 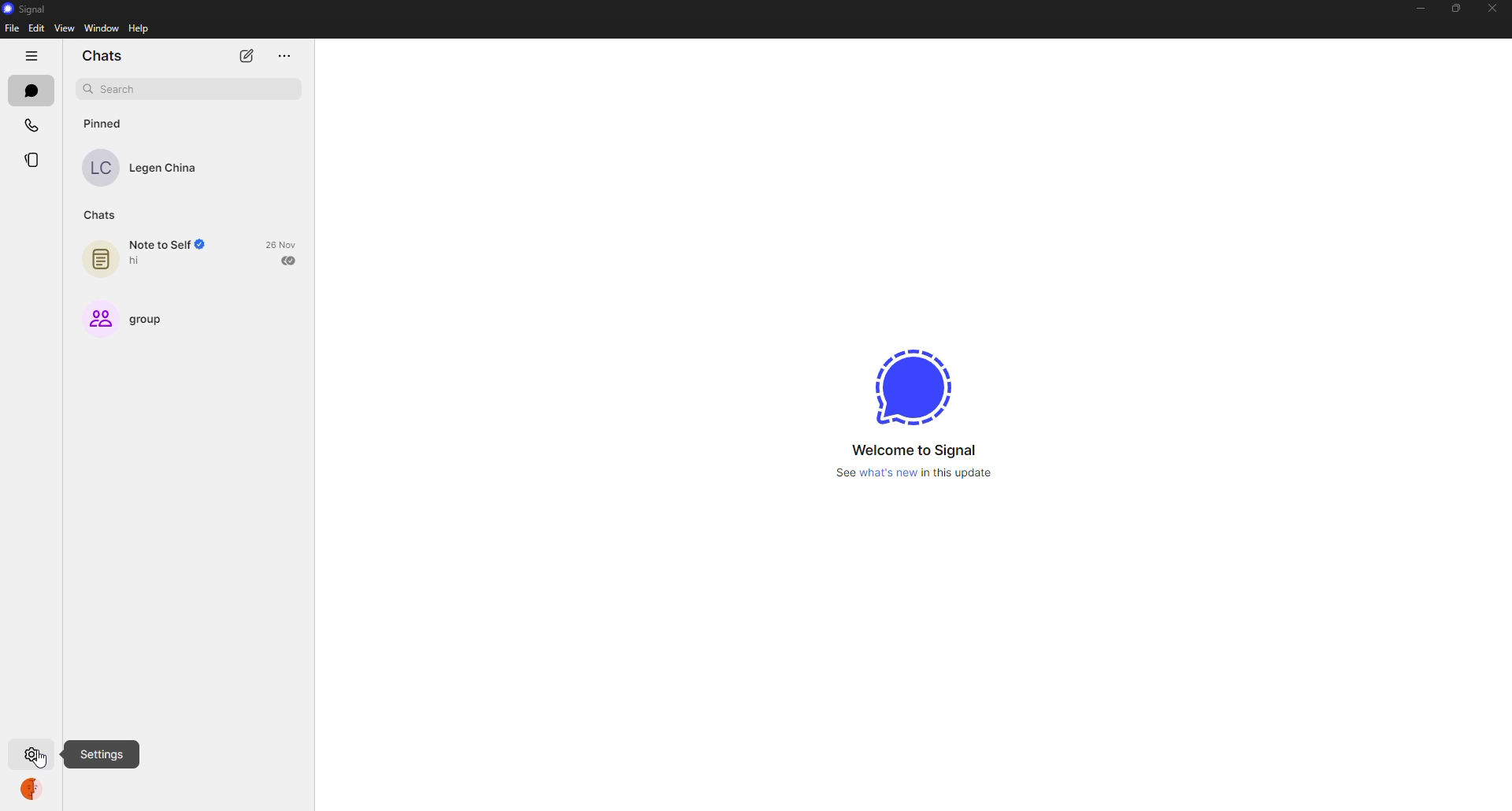 I want to click on hide tabs, so click(x=33, y=57).